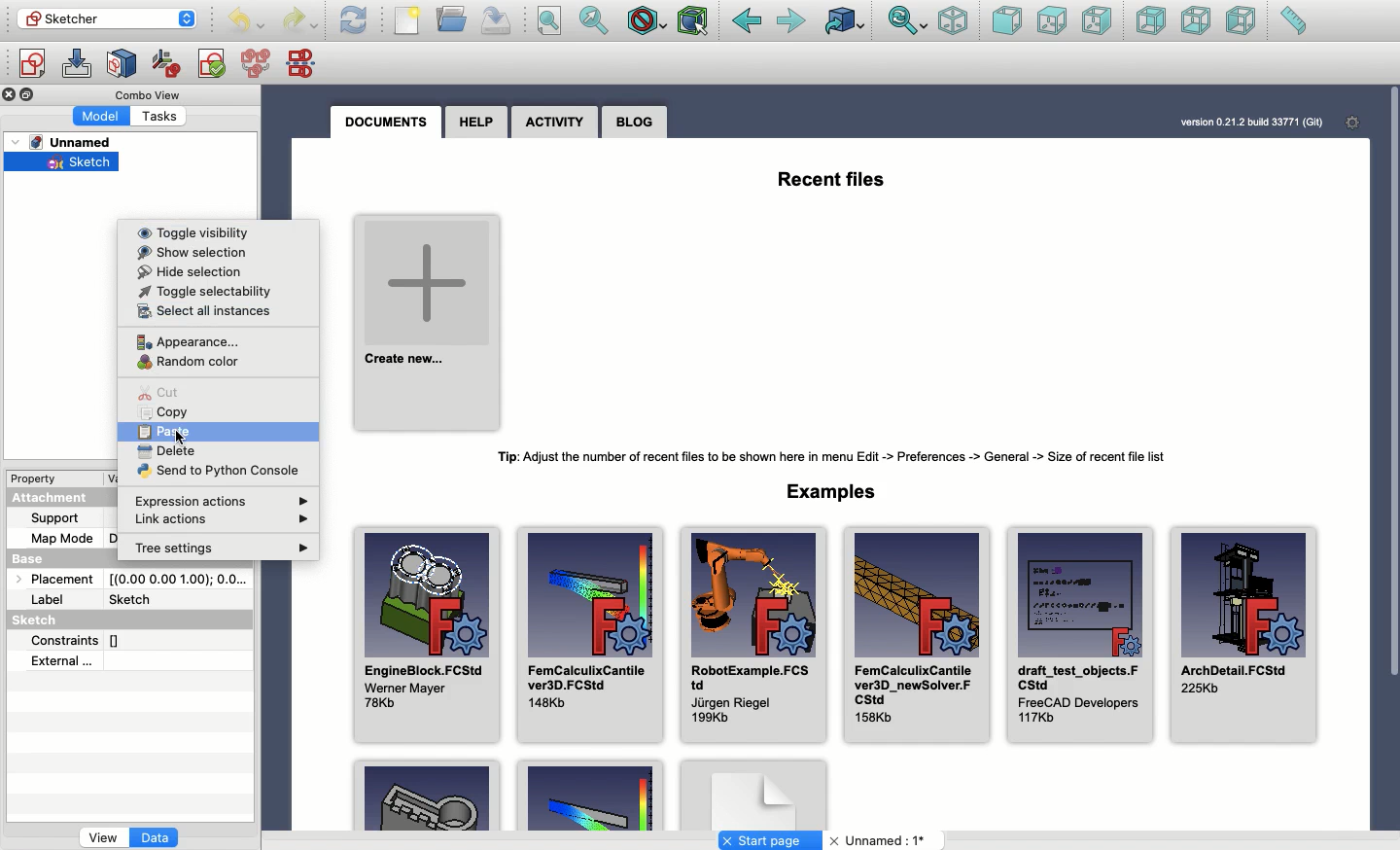  What do you see at coordinates (1347, 122) in the screenshot?
I see `Settings` at bounding box center [1347, 122].